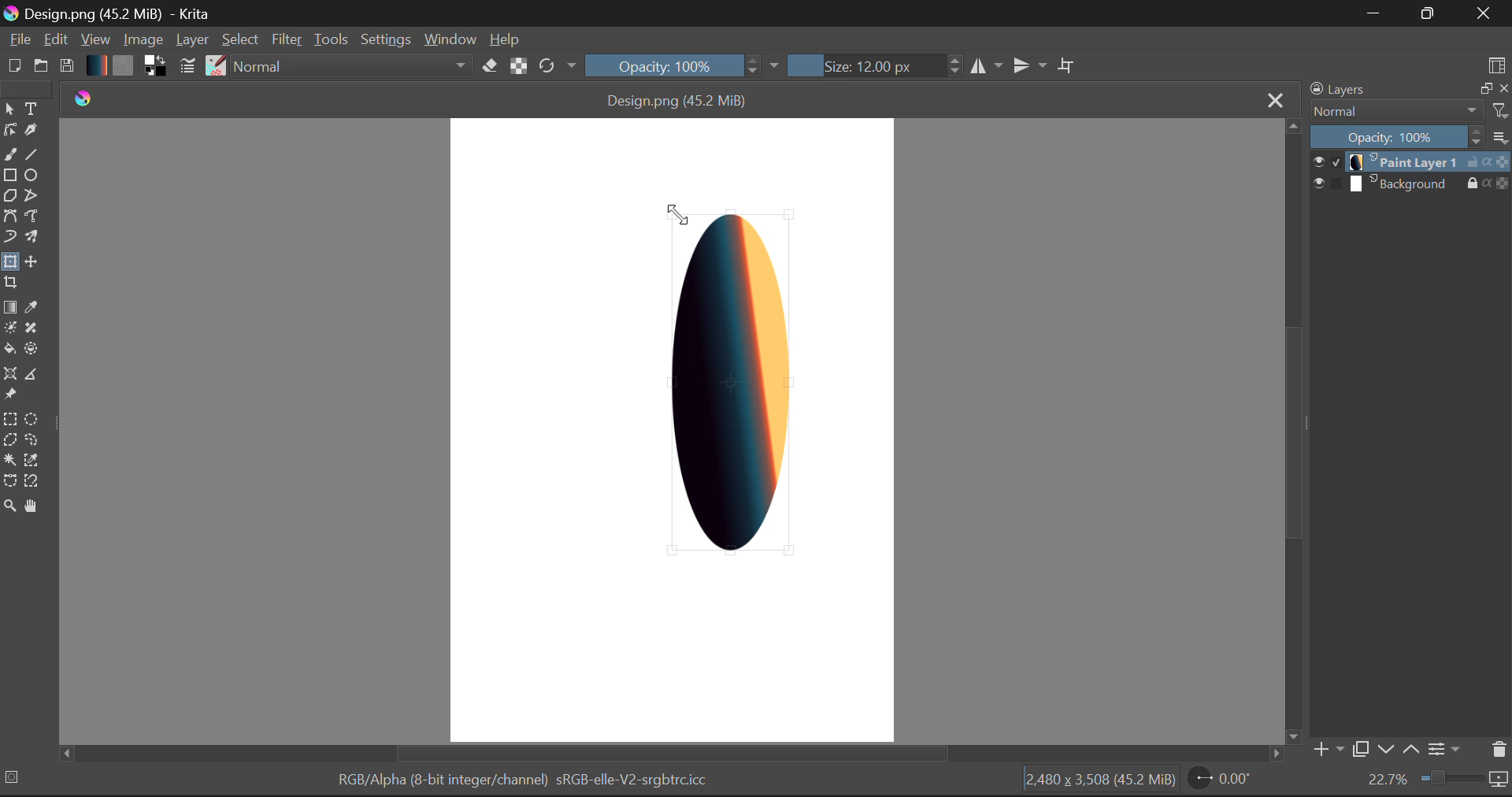 This screenshot has height=797, width=1512. I want to click on Background Layer, so click(1411, 183).